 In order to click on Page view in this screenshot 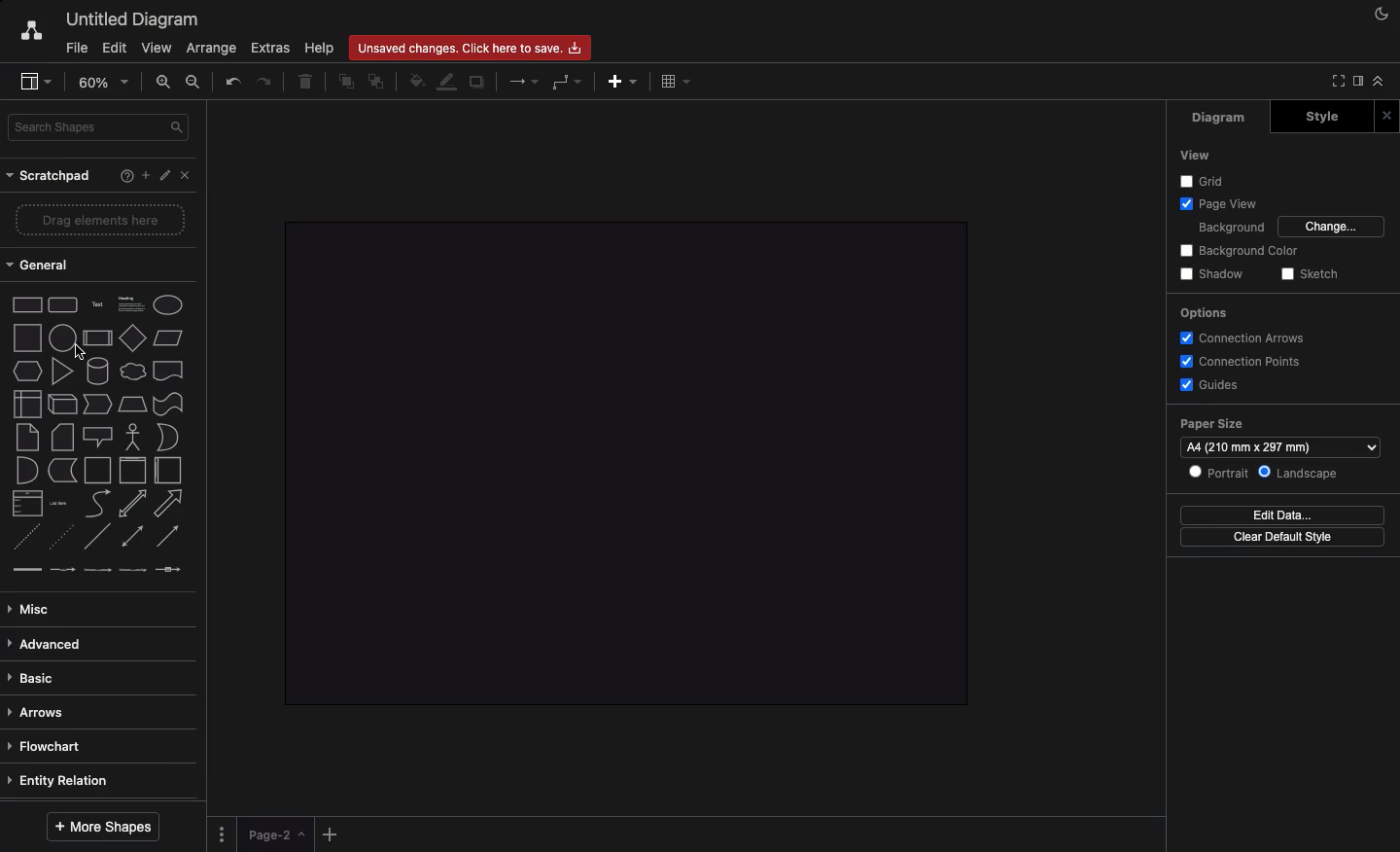, I will do `click(1221, 204)`.